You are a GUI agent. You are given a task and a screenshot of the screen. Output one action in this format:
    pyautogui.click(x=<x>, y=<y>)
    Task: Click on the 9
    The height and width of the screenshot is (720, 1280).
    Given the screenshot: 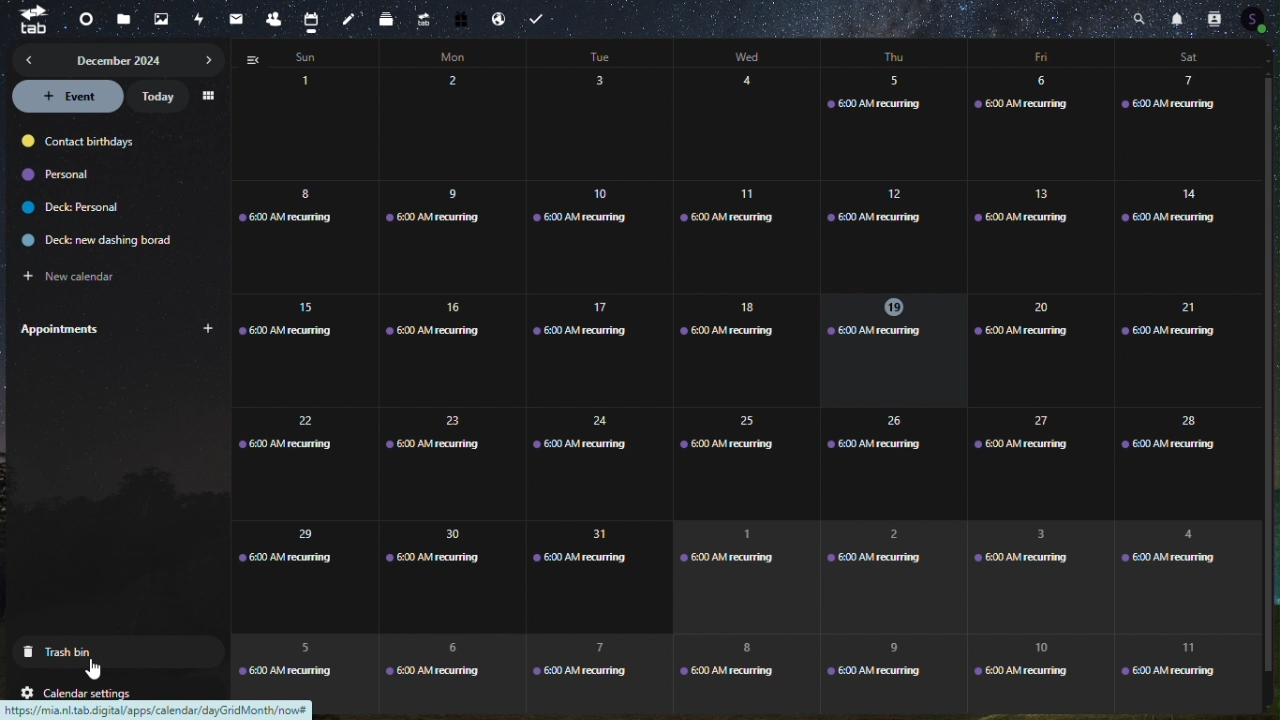 What is the action you would take?
    pyautogui.click(x=452, y=237)
    